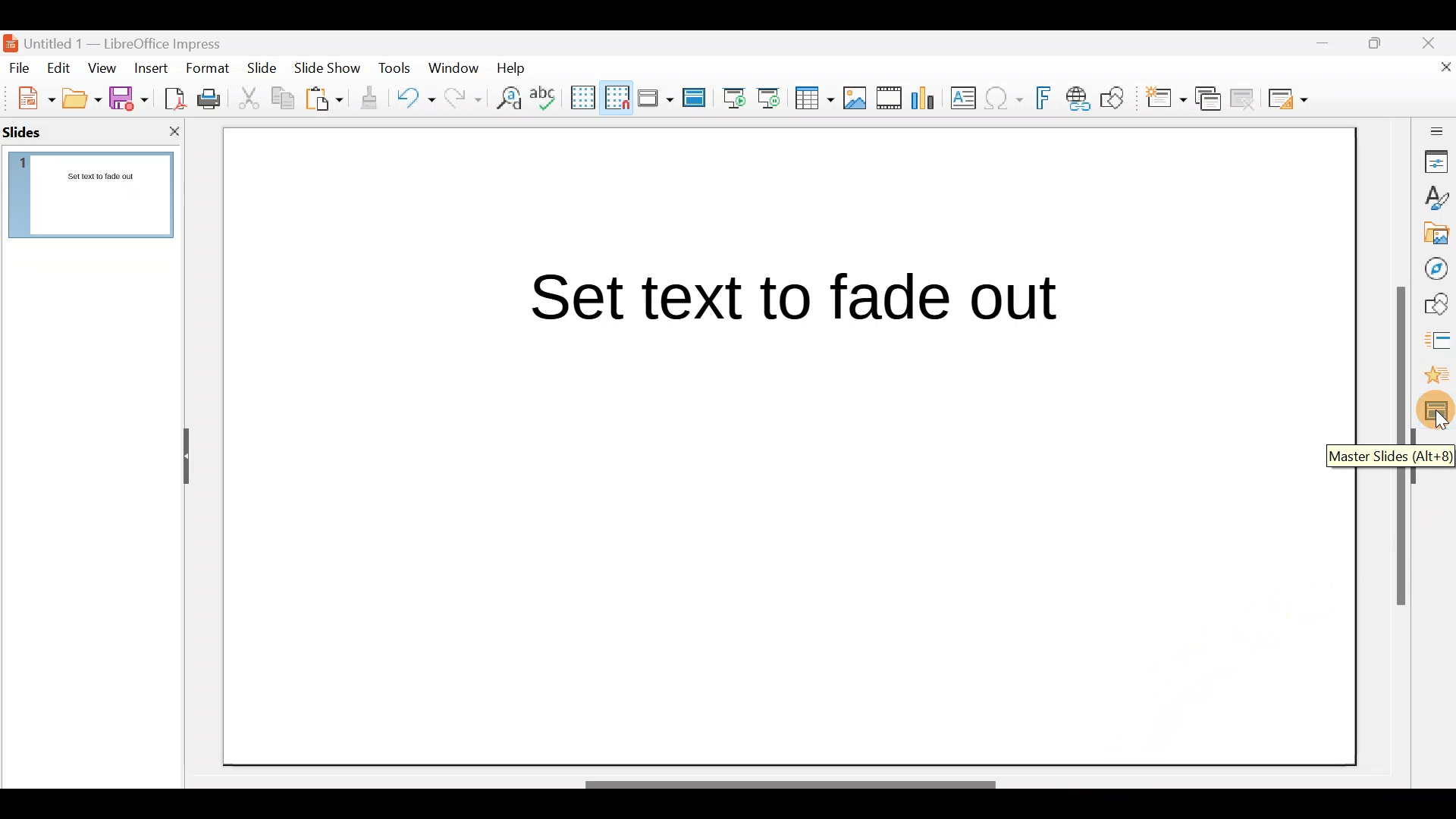  What do you see at coordinates (1437, 161) in the screenshot?
I see `Properties` at bounding box center [1437, 161].